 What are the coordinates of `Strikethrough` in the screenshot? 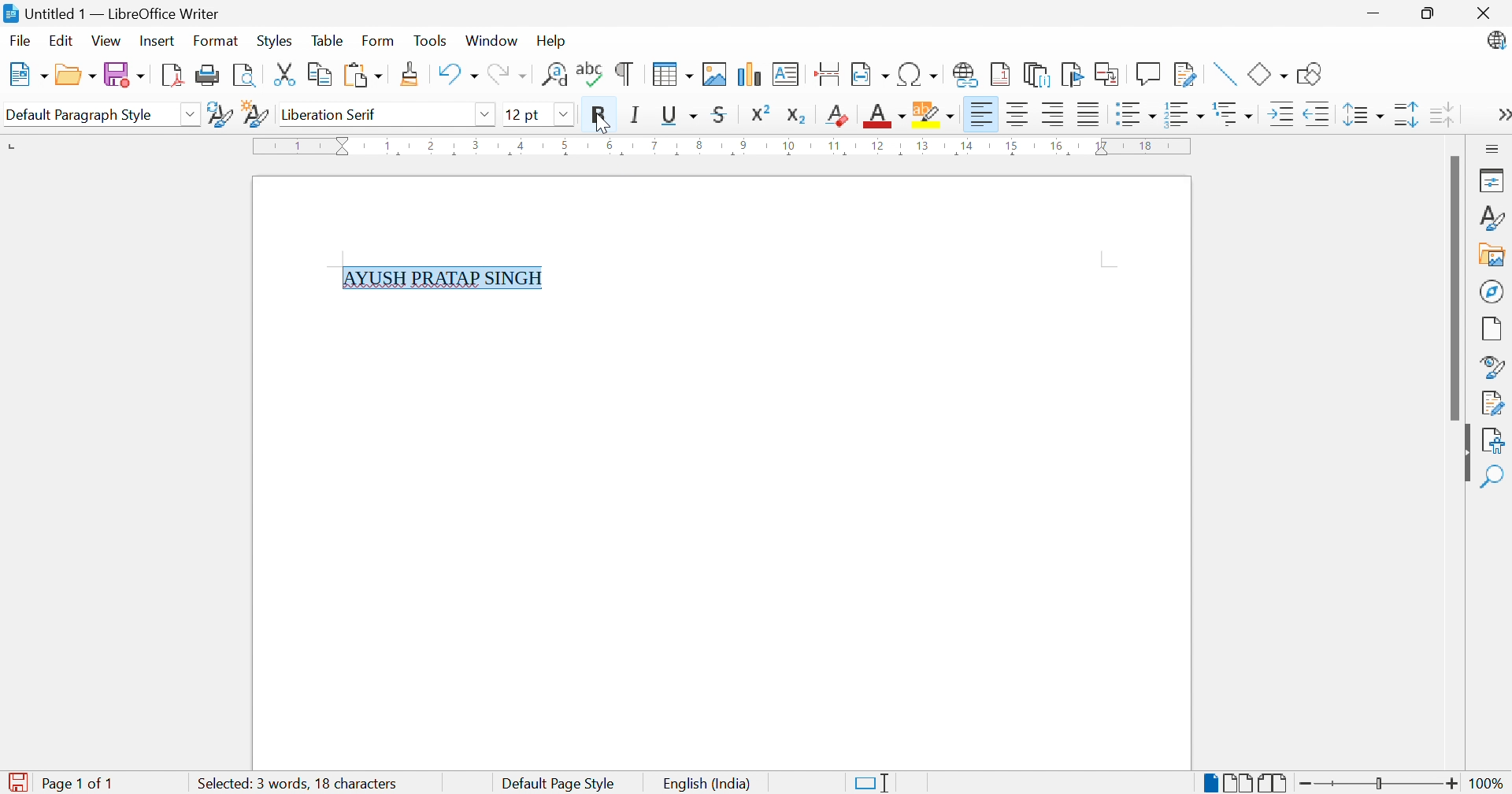 It's located at (720, 117).